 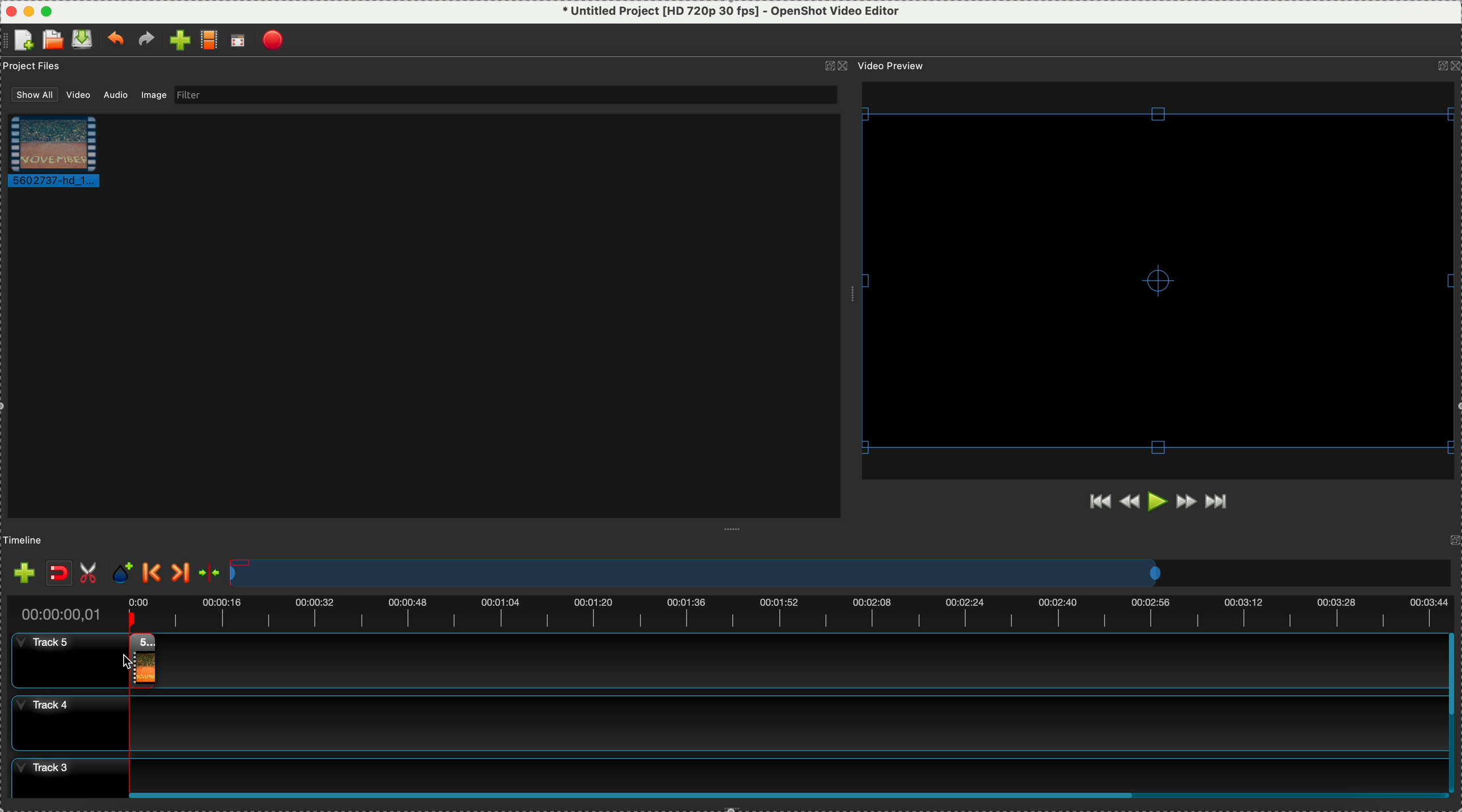 I want to click on audio, so click(x=113, y=96).